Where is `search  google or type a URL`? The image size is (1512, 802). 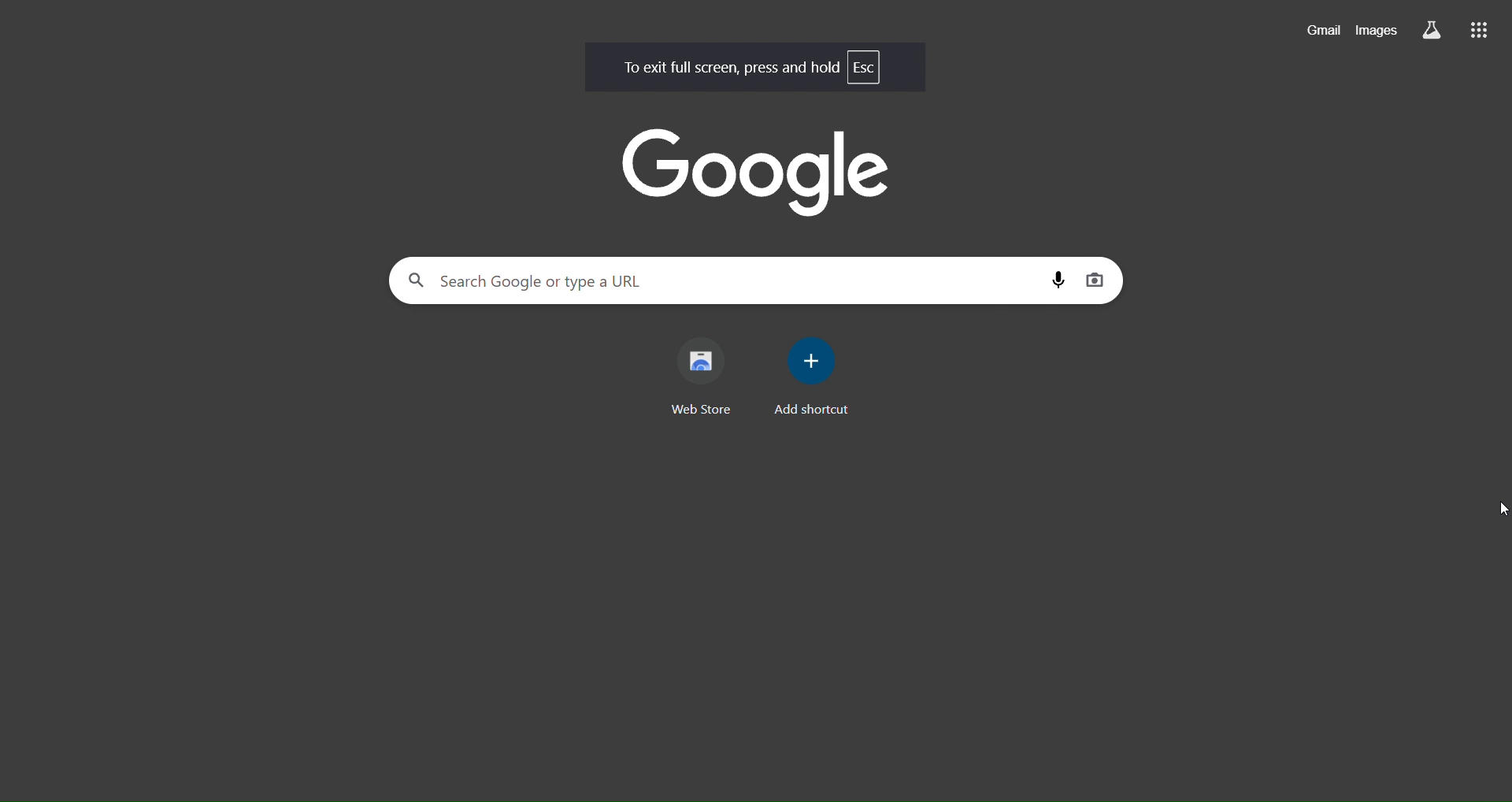
search  google or type a URL is located at coordinates (724, 280).